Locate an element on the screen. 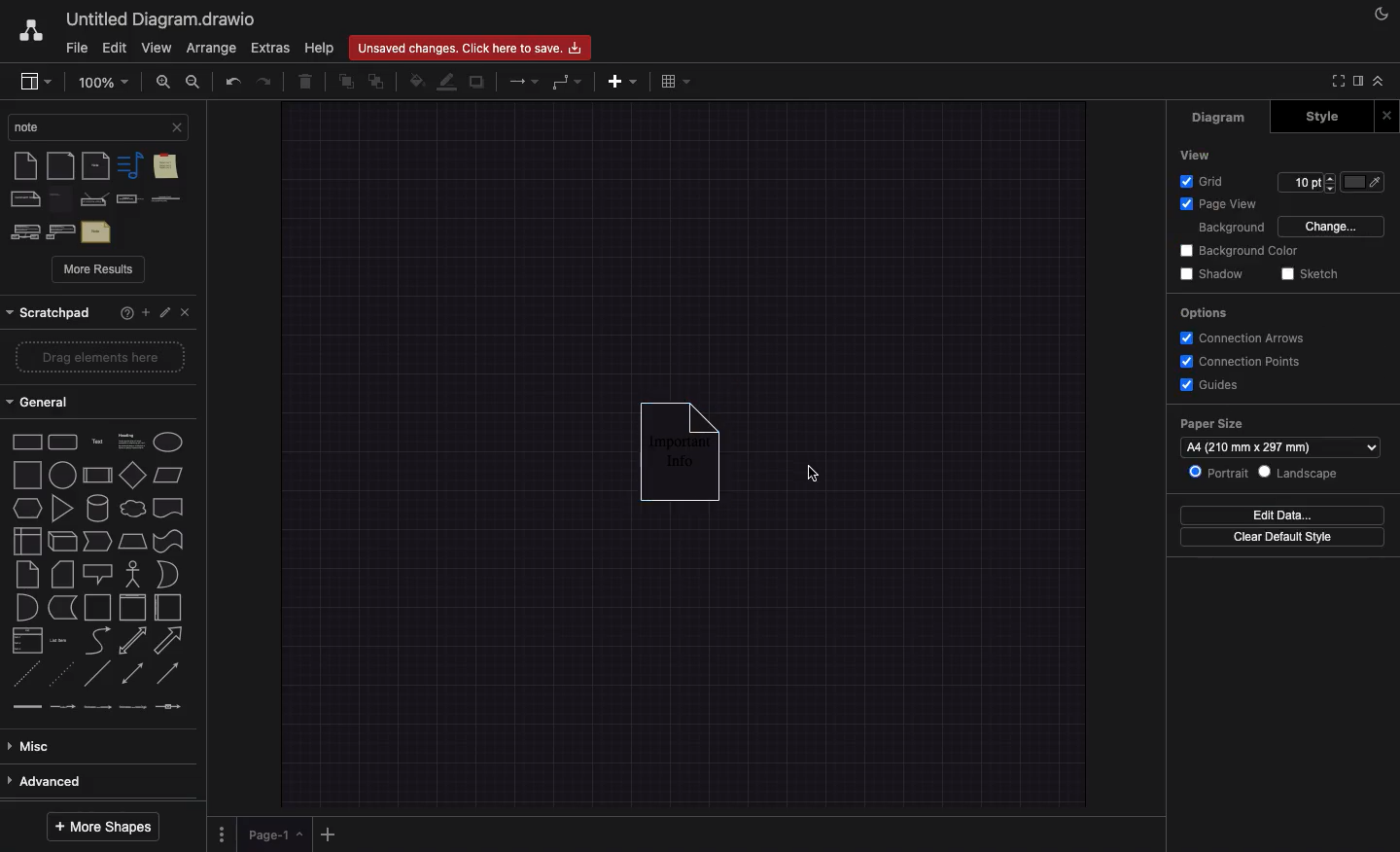 This screenshot has width=1400, height=852. comment  is located at coordinates (25, 199).